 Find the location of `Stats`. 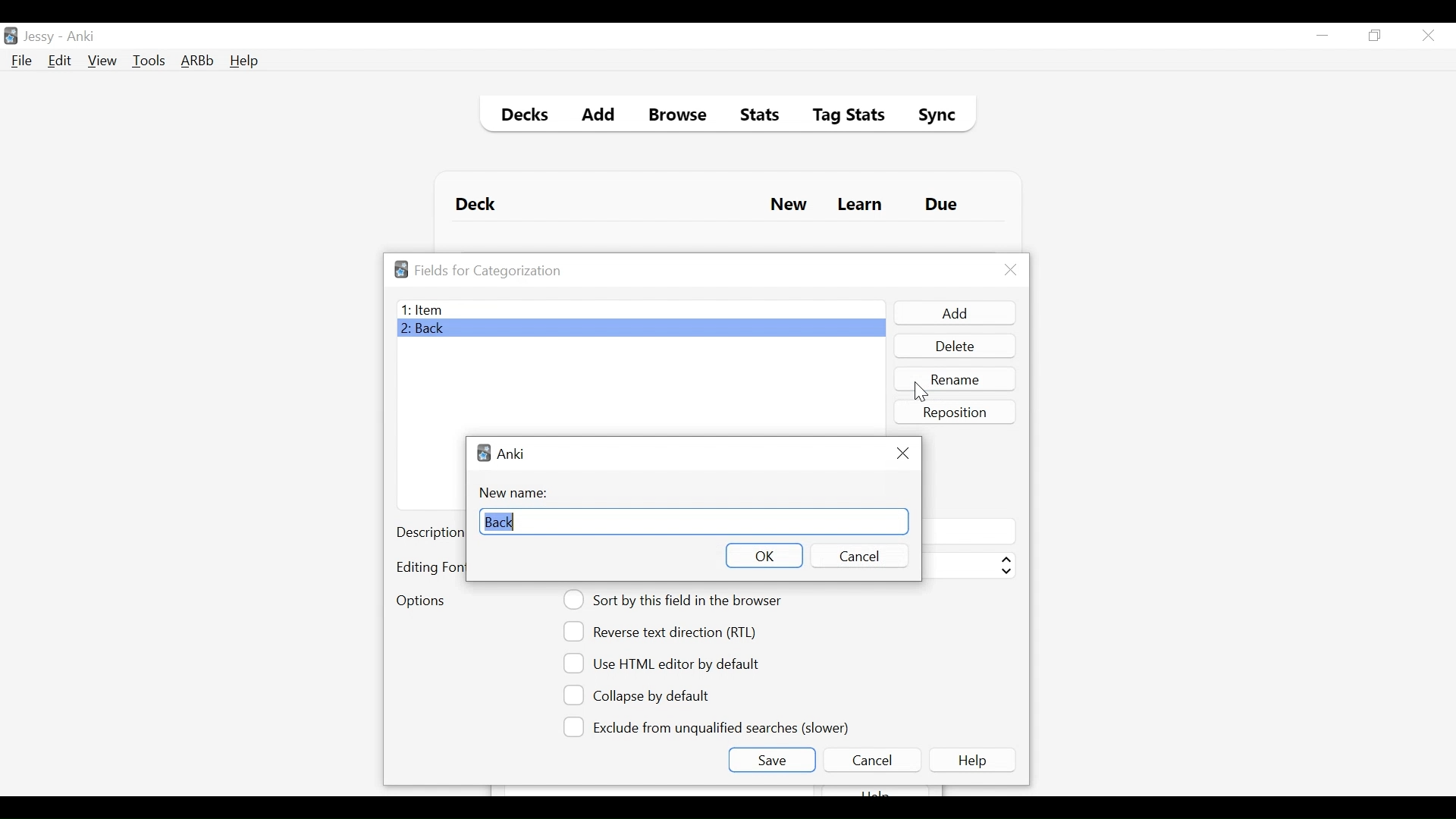

Stats is located at coordinates (755, 115).